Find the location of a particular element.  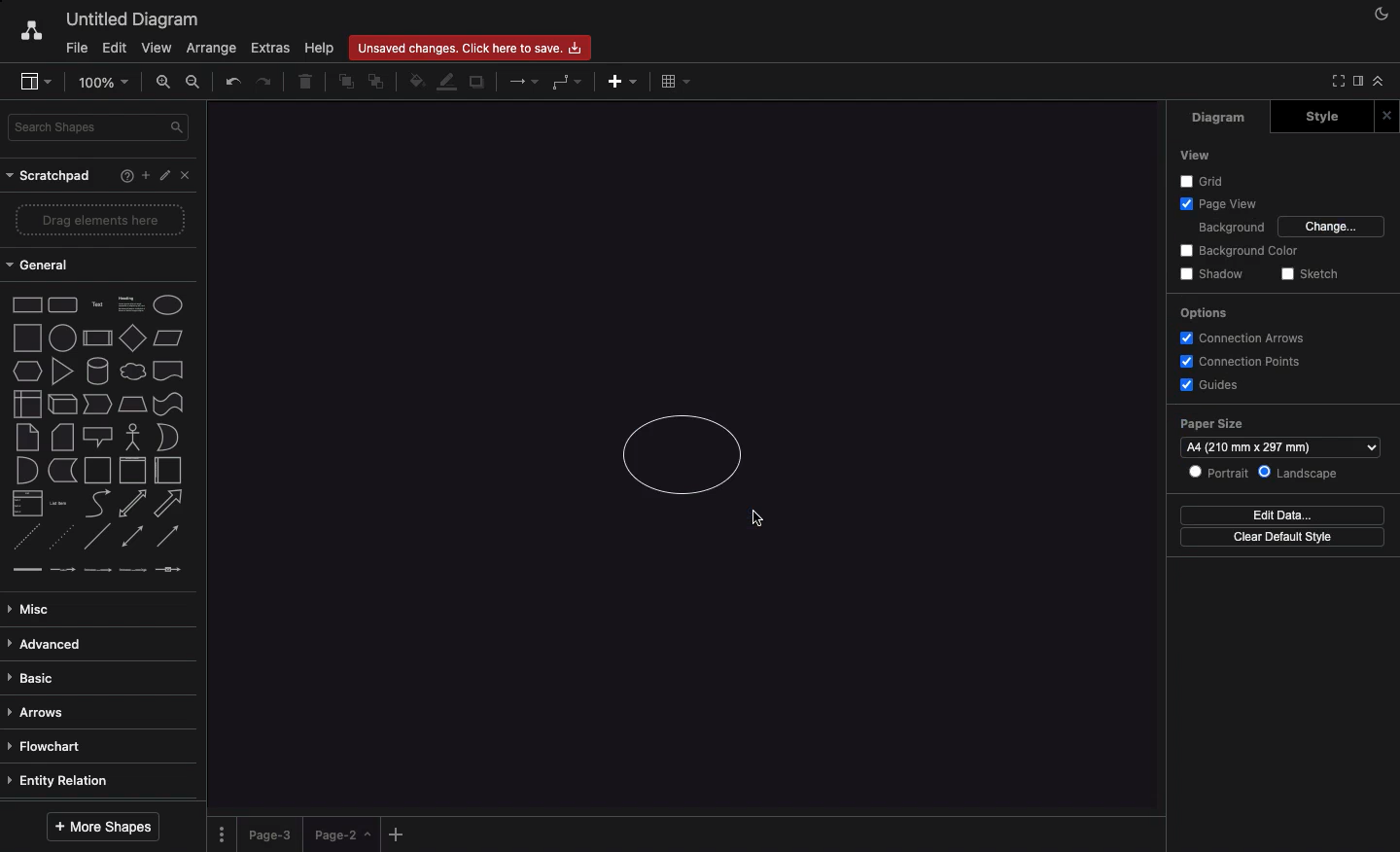

Grid is located at coordinates (1194, 180).